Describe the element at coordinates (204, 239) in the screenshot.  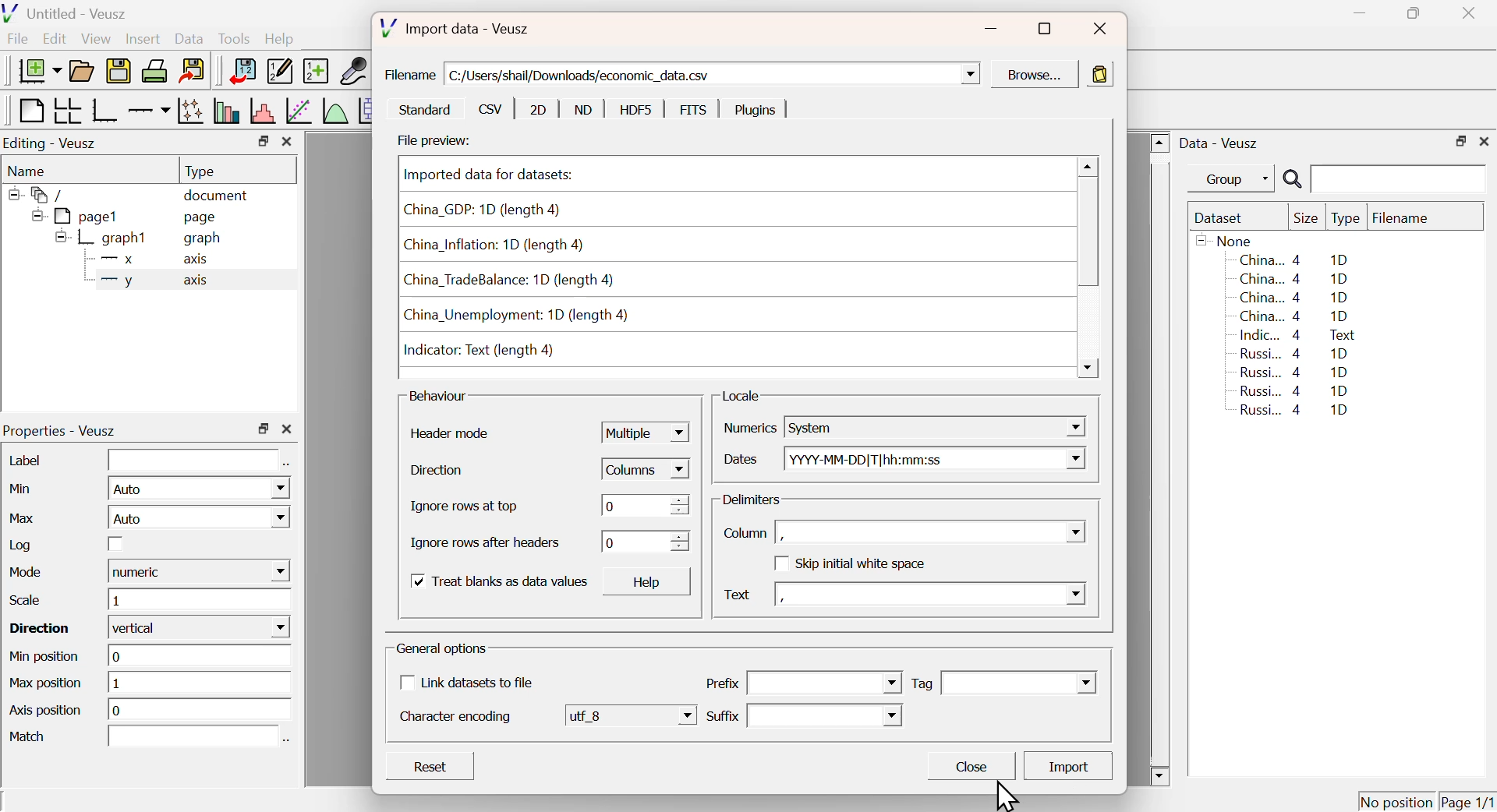
I see `graph` at that location.